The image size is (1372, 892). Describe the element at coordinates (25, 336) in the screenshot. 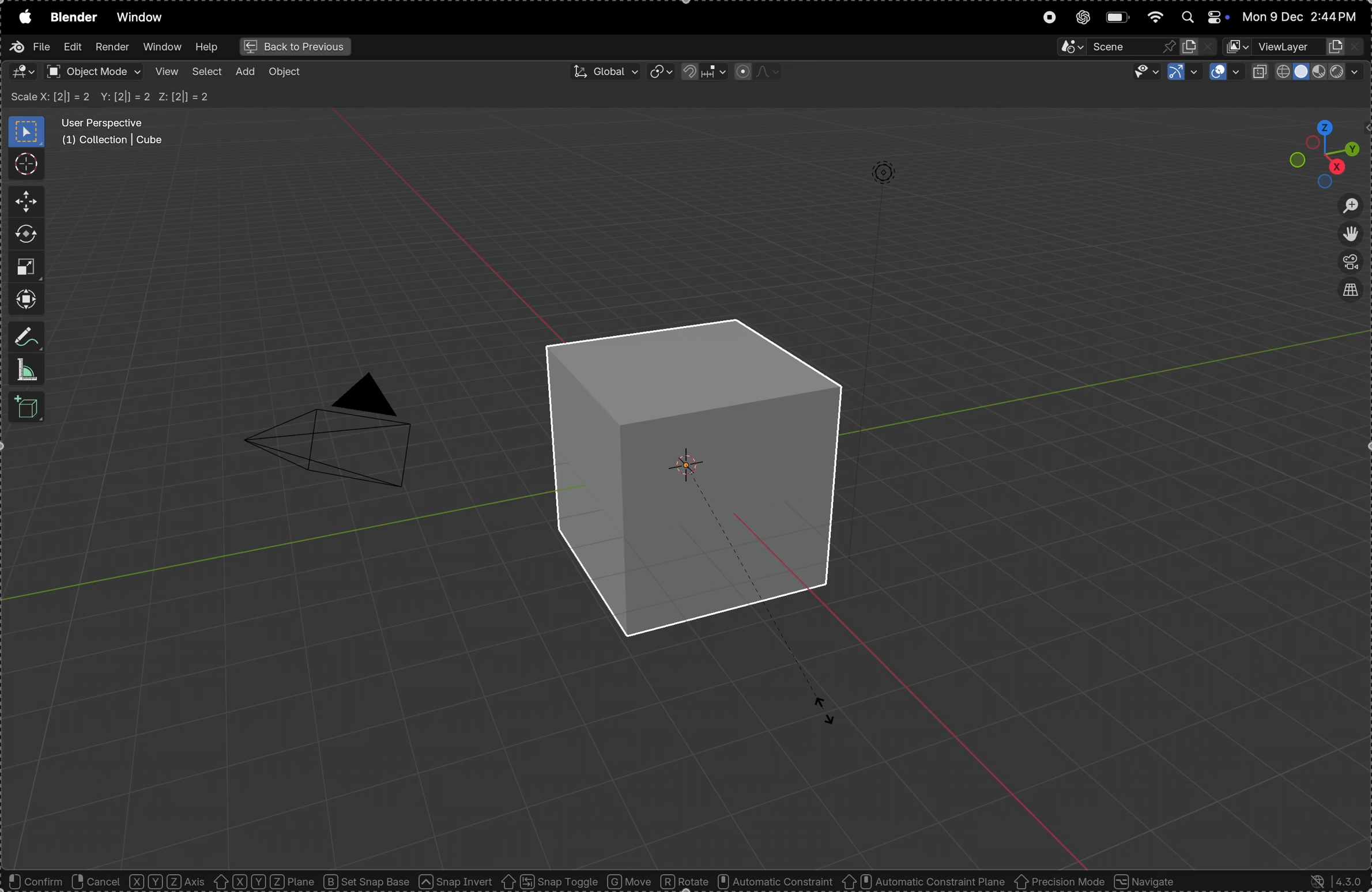

I see `annotate ` at that location.